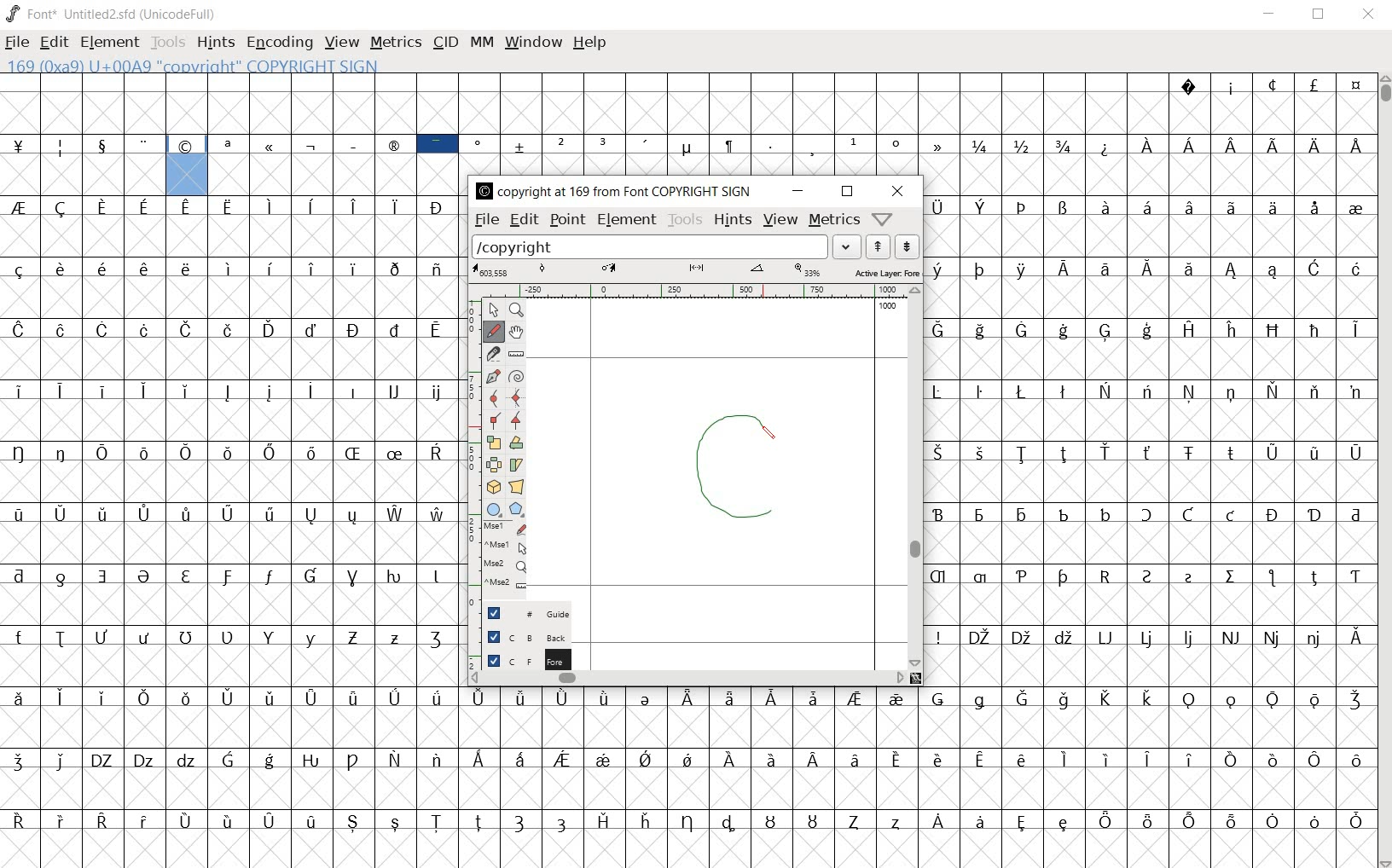 The height and width of the screenshot is (868, 1392). I want to click on hints, so click(731, 219).